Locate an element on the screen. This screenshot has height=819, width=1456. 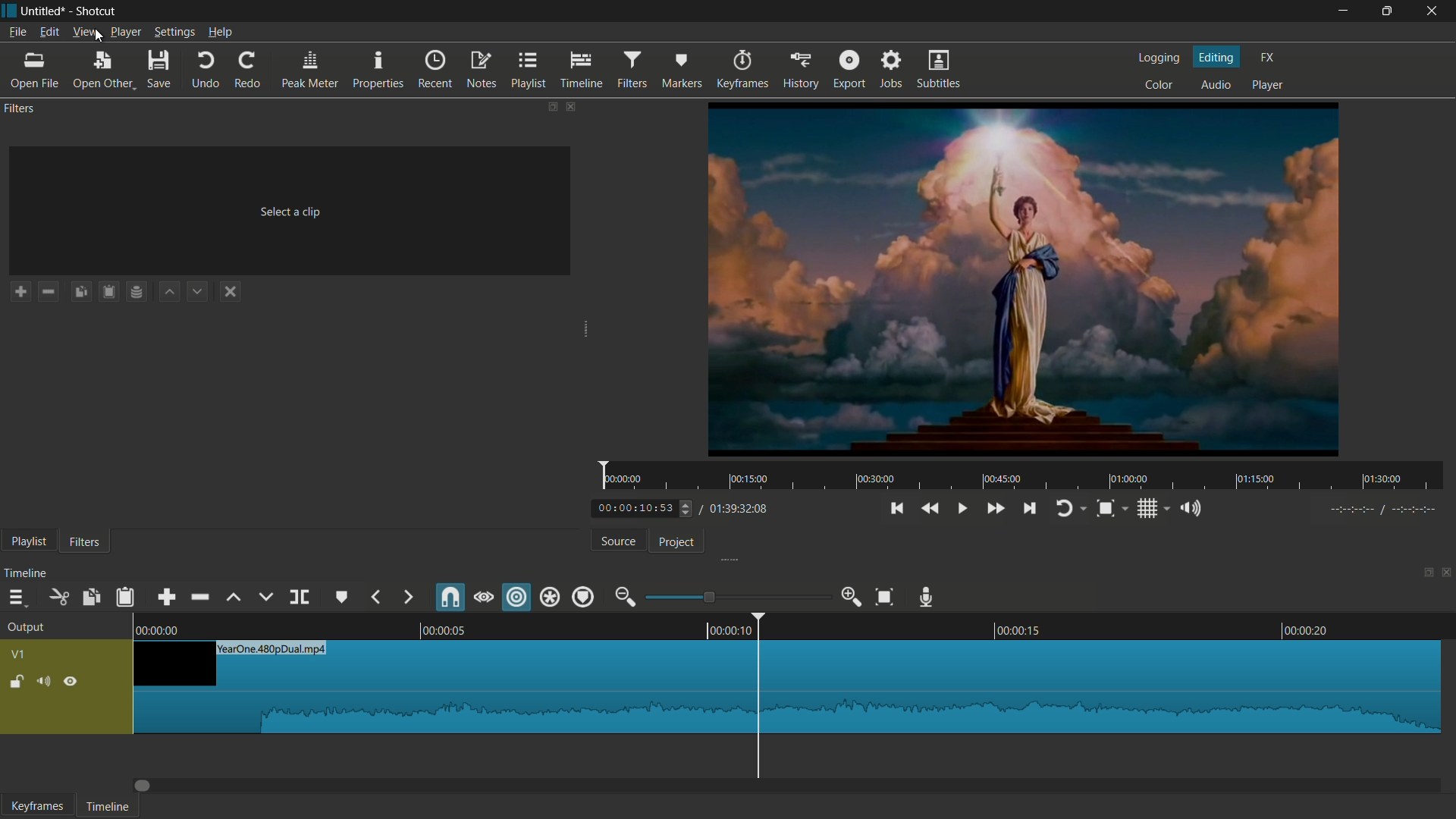
recent is located at coordinates (437, 71).